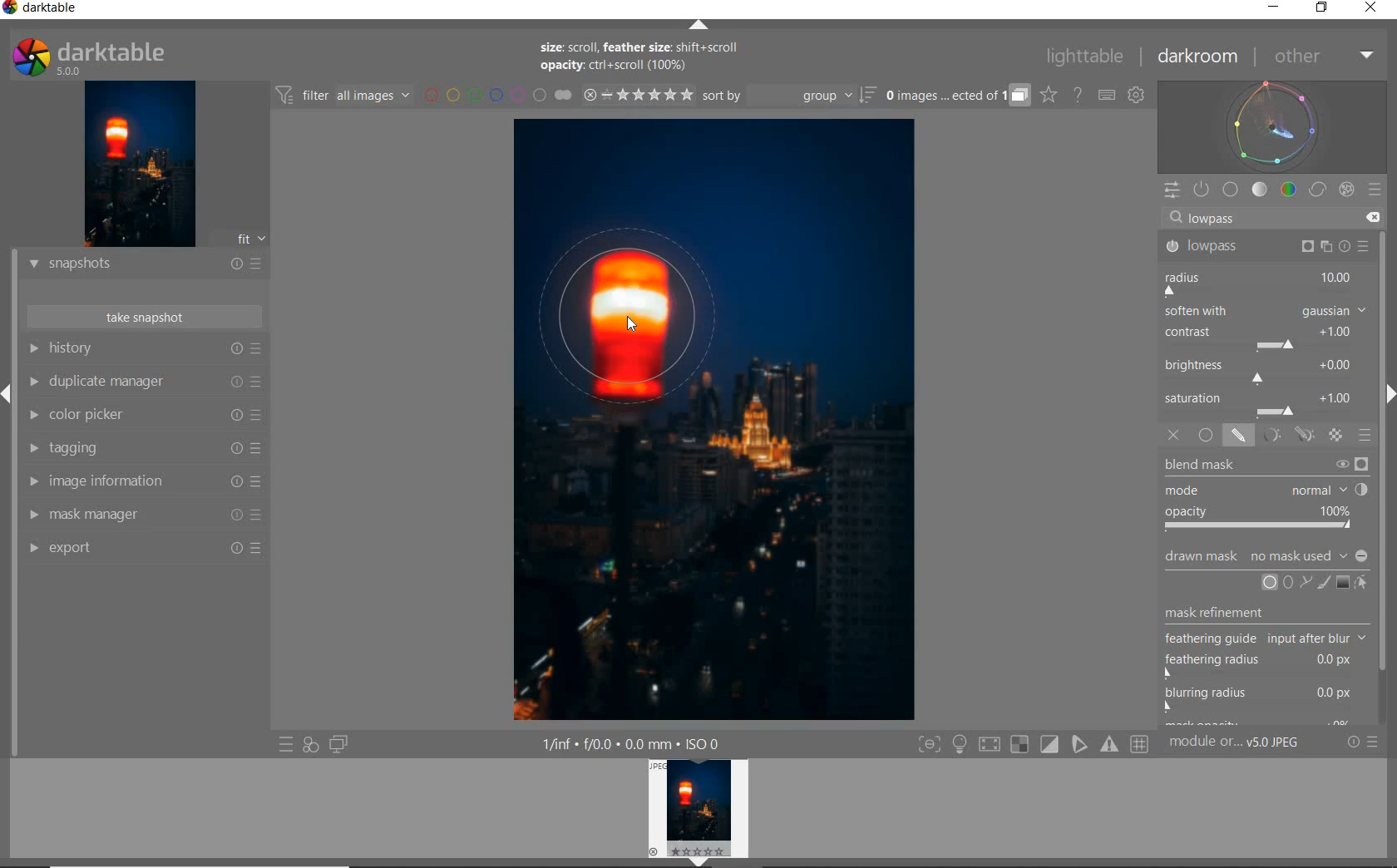 The height and width of the screenshot is (868, 1397). What do you see at coordinates (654, 310) in the screenshot?
I see `DRAWN CIRCLE MASK` at bounding box center [654, 310].